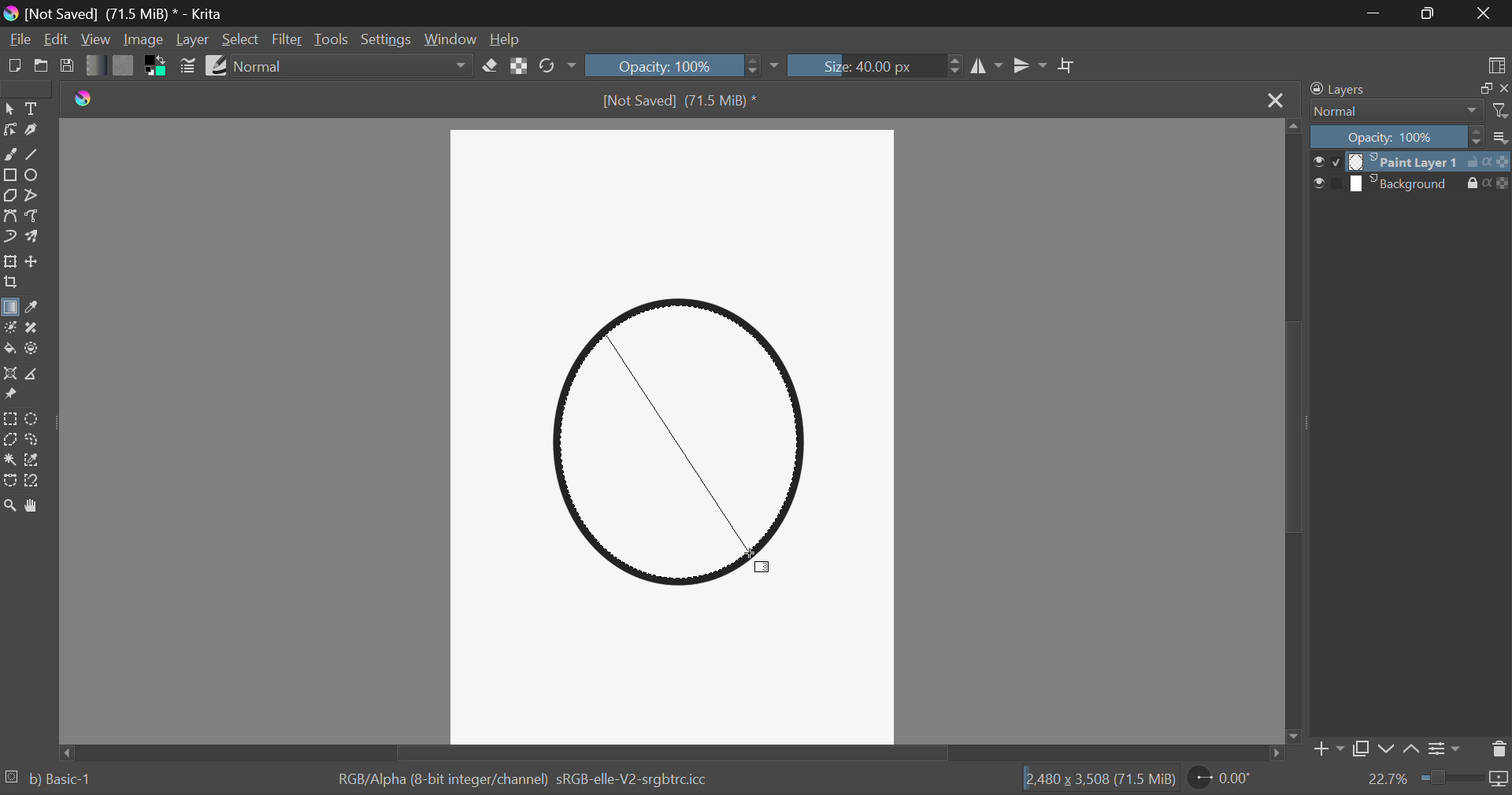 This screenshot has width=1512, height=795. What do you see at coordinates (762, 560) in the screenshot?
I see `Cursor Position` at bounding box center [762, 560].